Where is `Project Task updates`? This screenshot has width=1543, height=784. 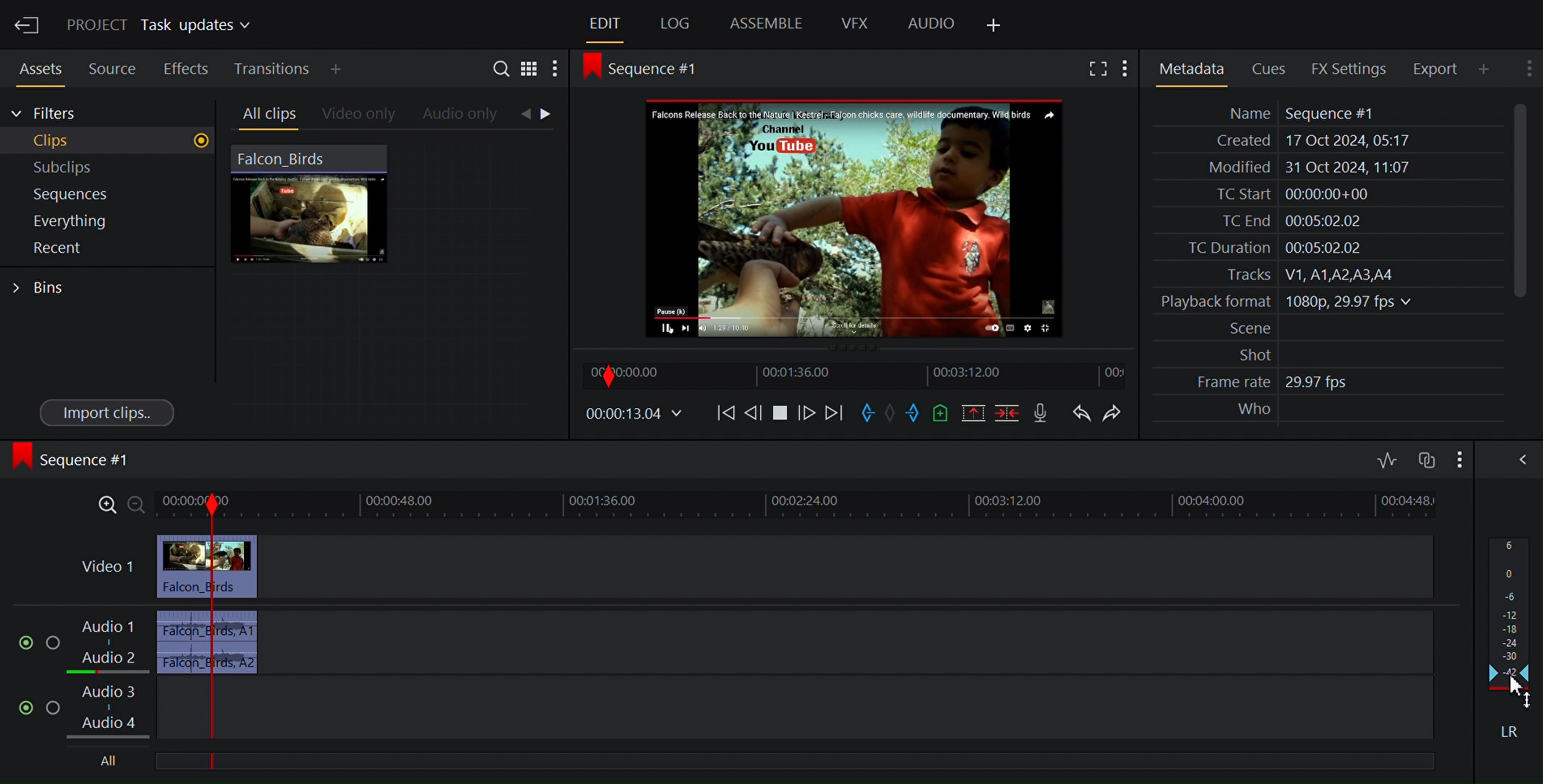
Project Task updates is located at coordinates (158, 26).